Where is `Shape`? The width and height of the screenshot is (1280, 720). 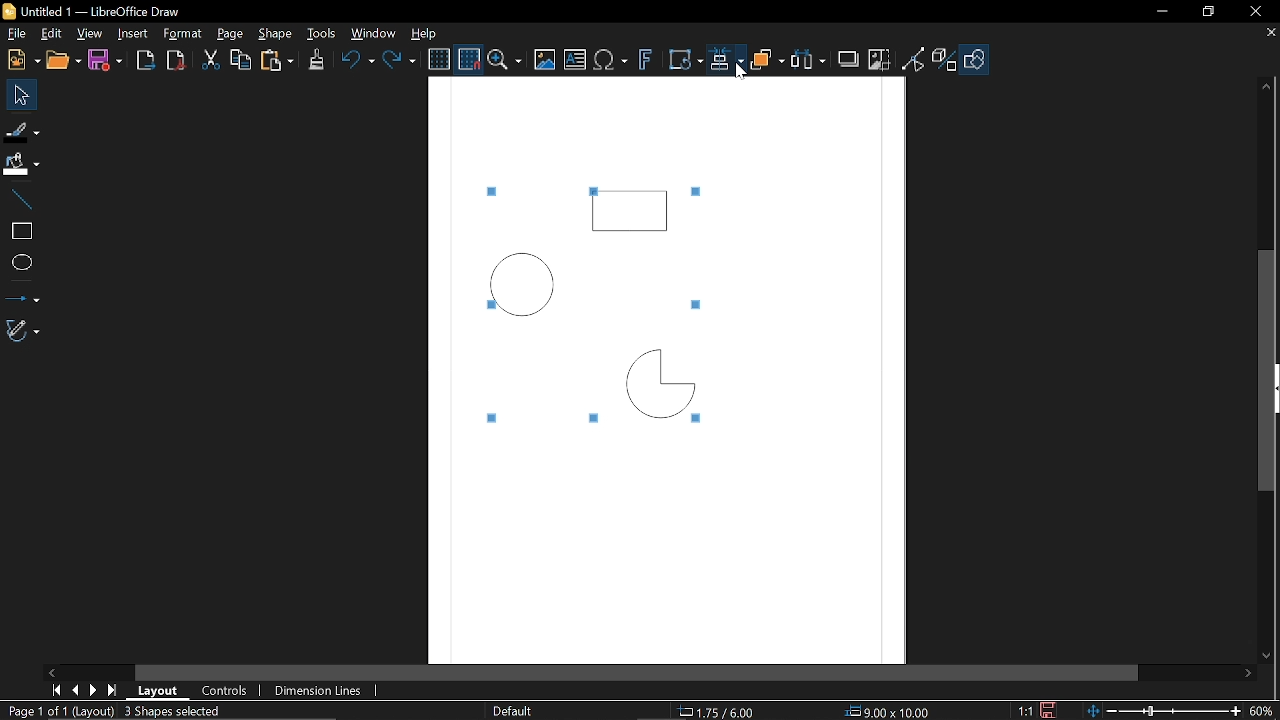
Shape is located at coordinates (274, 35).